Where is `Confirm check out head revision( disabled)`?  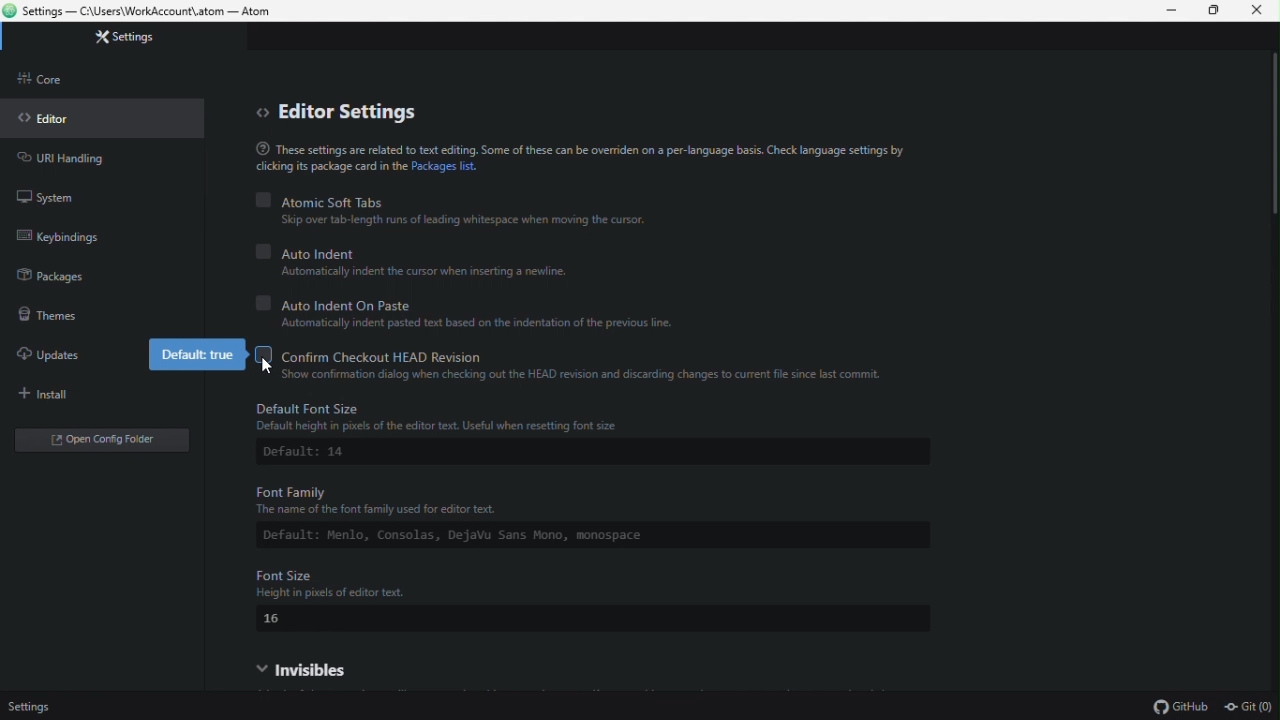
Confirm check out head revision( disabled) is located at coordinates (547, 353).